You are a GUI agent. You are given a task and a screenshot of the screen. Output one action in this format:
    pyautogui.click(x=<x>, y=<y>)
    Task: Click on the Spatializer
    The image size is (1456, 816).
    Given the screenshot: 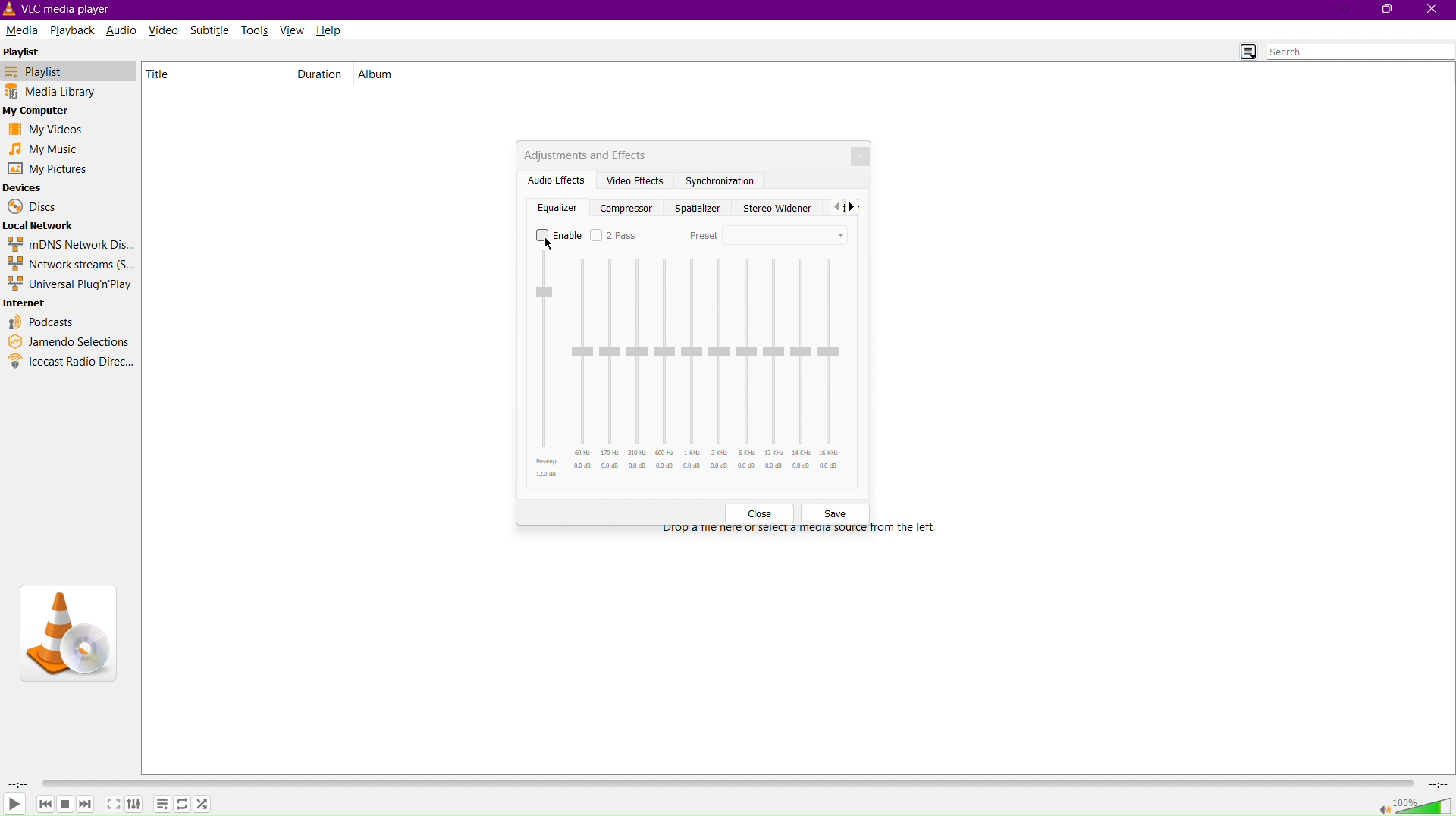 What is the action you would take?
    pyautogui.click(x=698, y=207)
    